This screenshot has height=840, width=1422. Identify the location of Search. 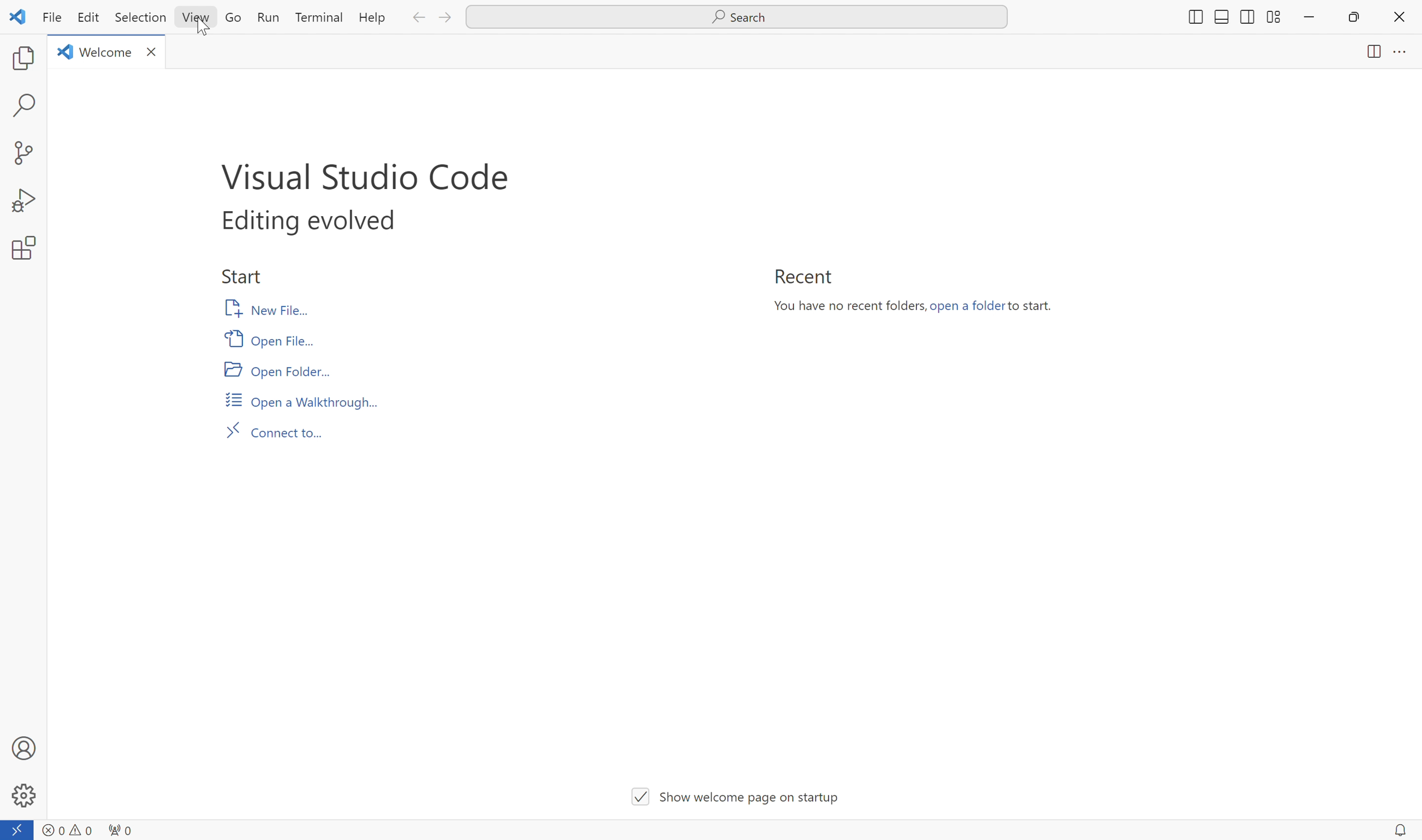
(735, 16).